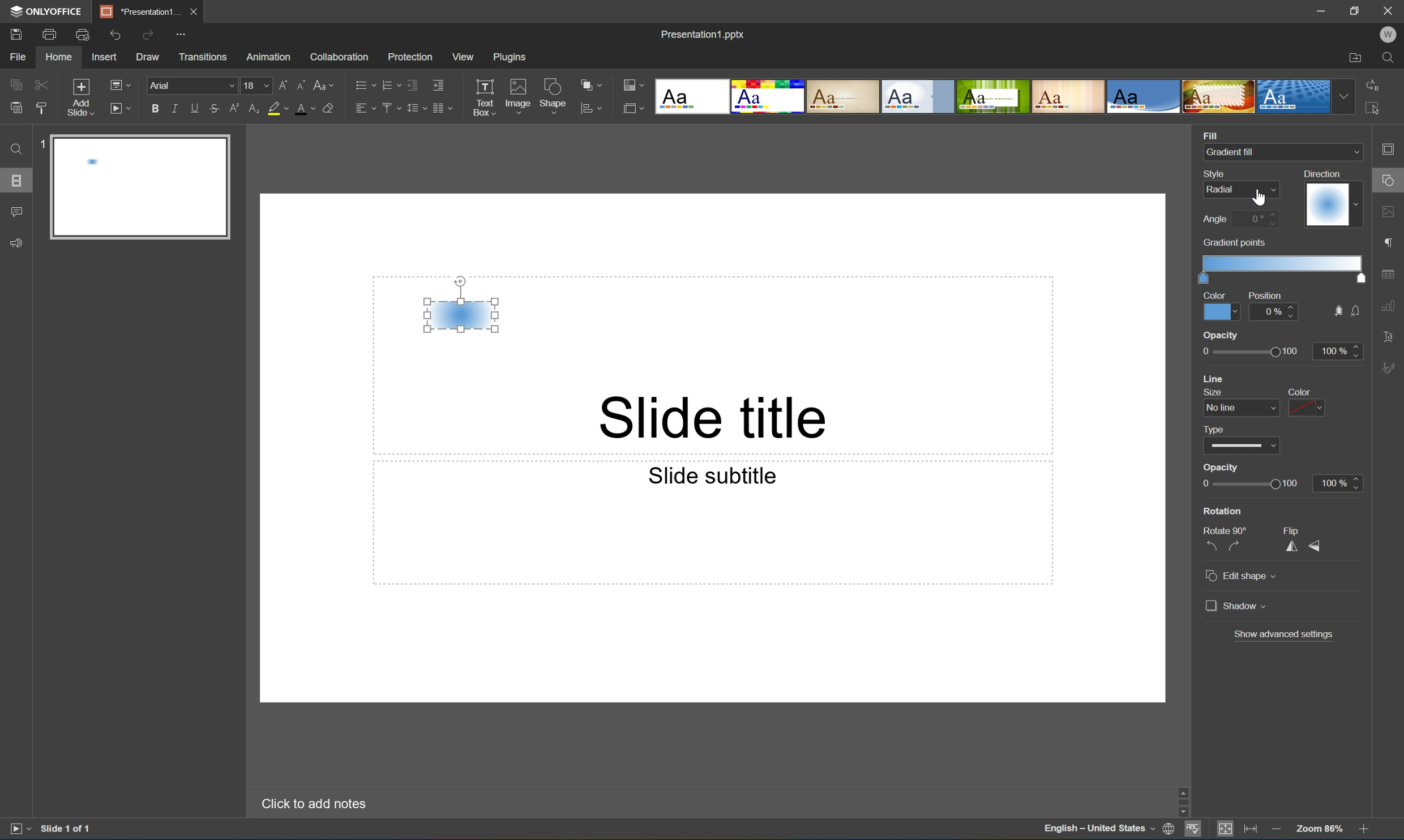 The height and width of the screenshot is (840, 1404). What do you see at coordinates (1363, 786) in the screenshot?
I see `Scroll Up` at bounding box center [1363, 786].